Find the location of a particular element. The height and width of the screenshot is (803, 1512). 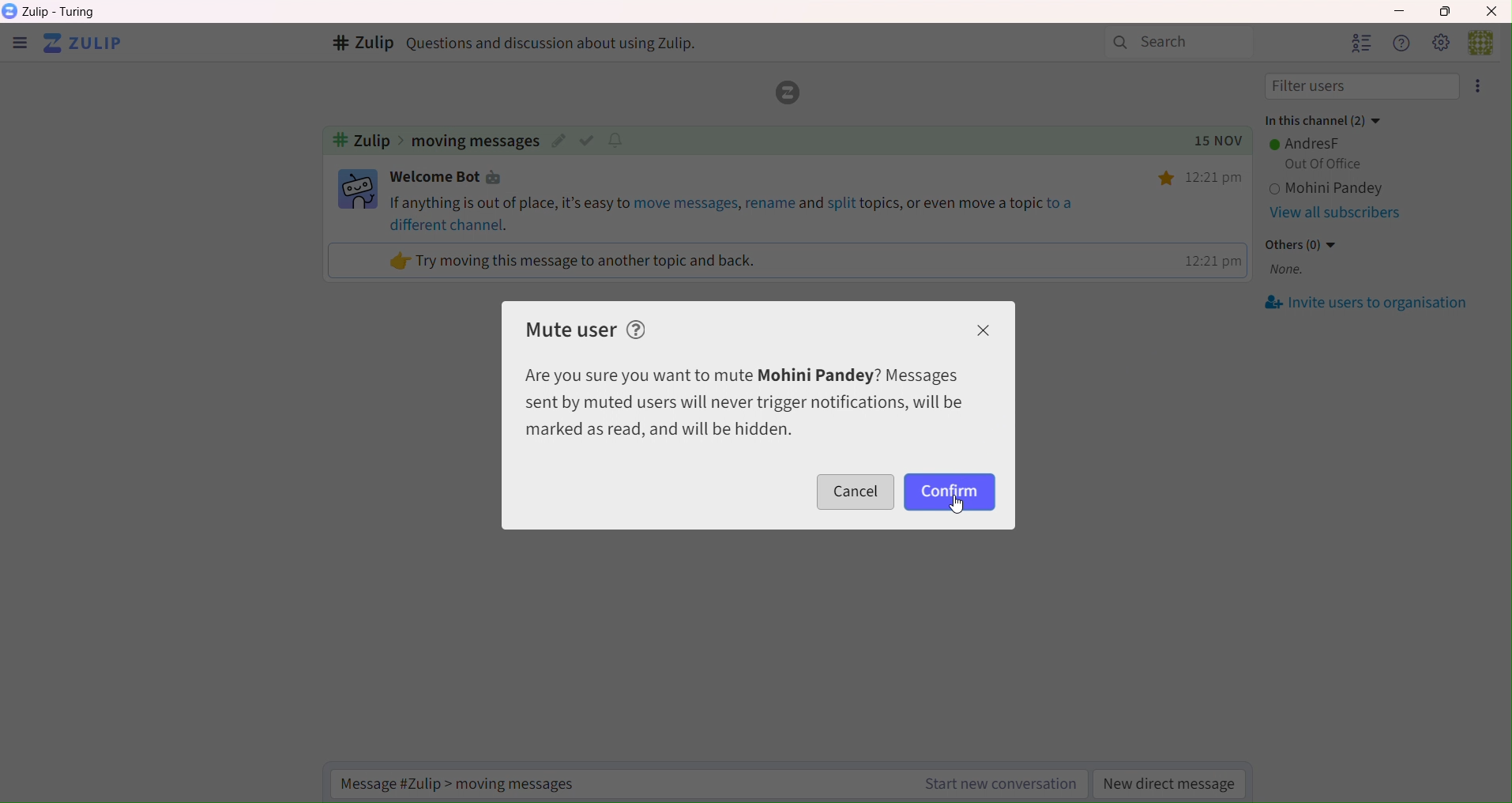

ZuLip is located at coordinates (88, 44).